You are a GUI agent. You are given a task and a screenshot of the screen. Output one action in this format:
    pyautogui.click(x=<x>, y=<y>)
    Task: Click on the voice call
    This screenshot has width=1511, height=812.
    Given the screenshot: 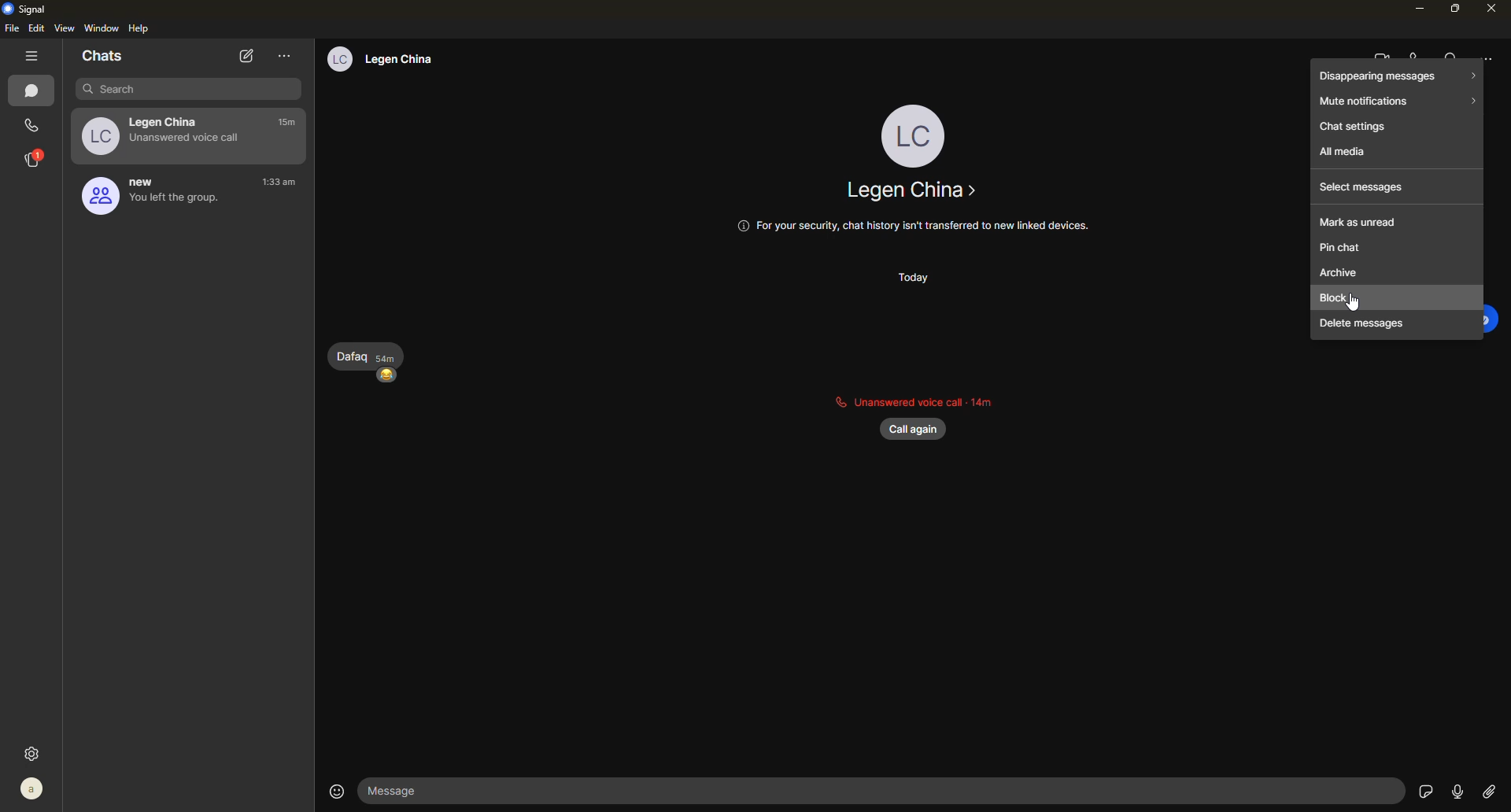 What is the action you would take?
    pyautogui.click(x=1418, y=58)
    